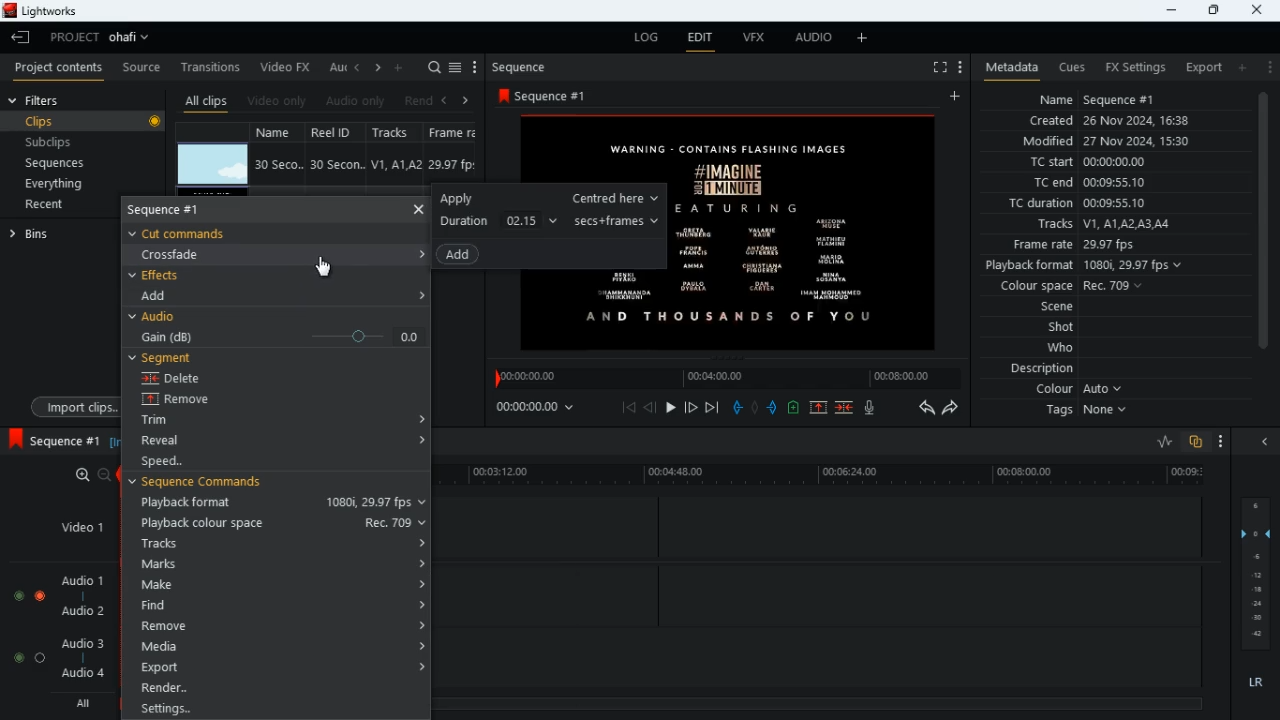 This screenshot has width=1280, height=720. I want to click on timeline, so click(724, 377).